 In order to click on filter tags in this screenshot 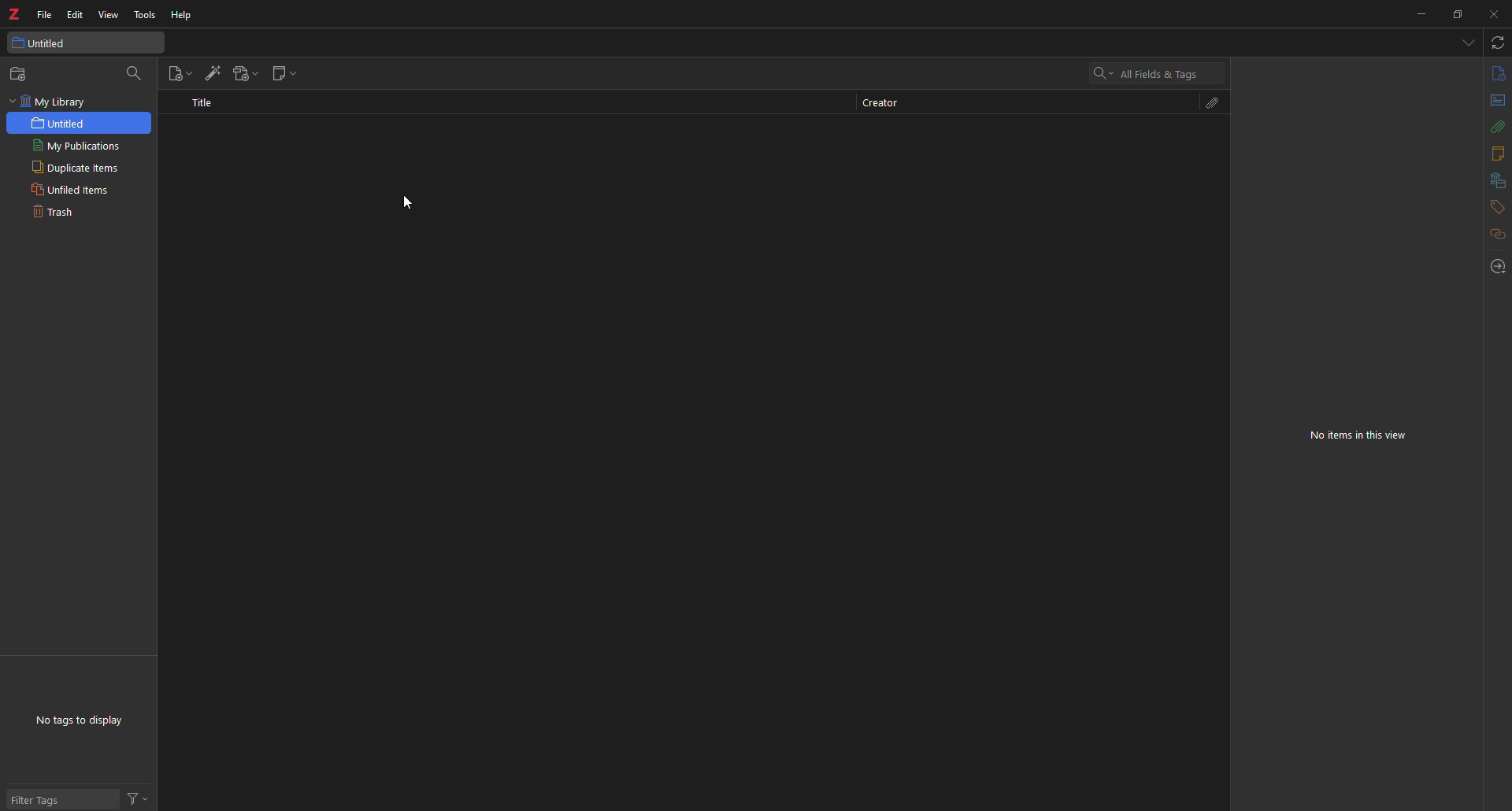, I will do `click(43, 800)`.